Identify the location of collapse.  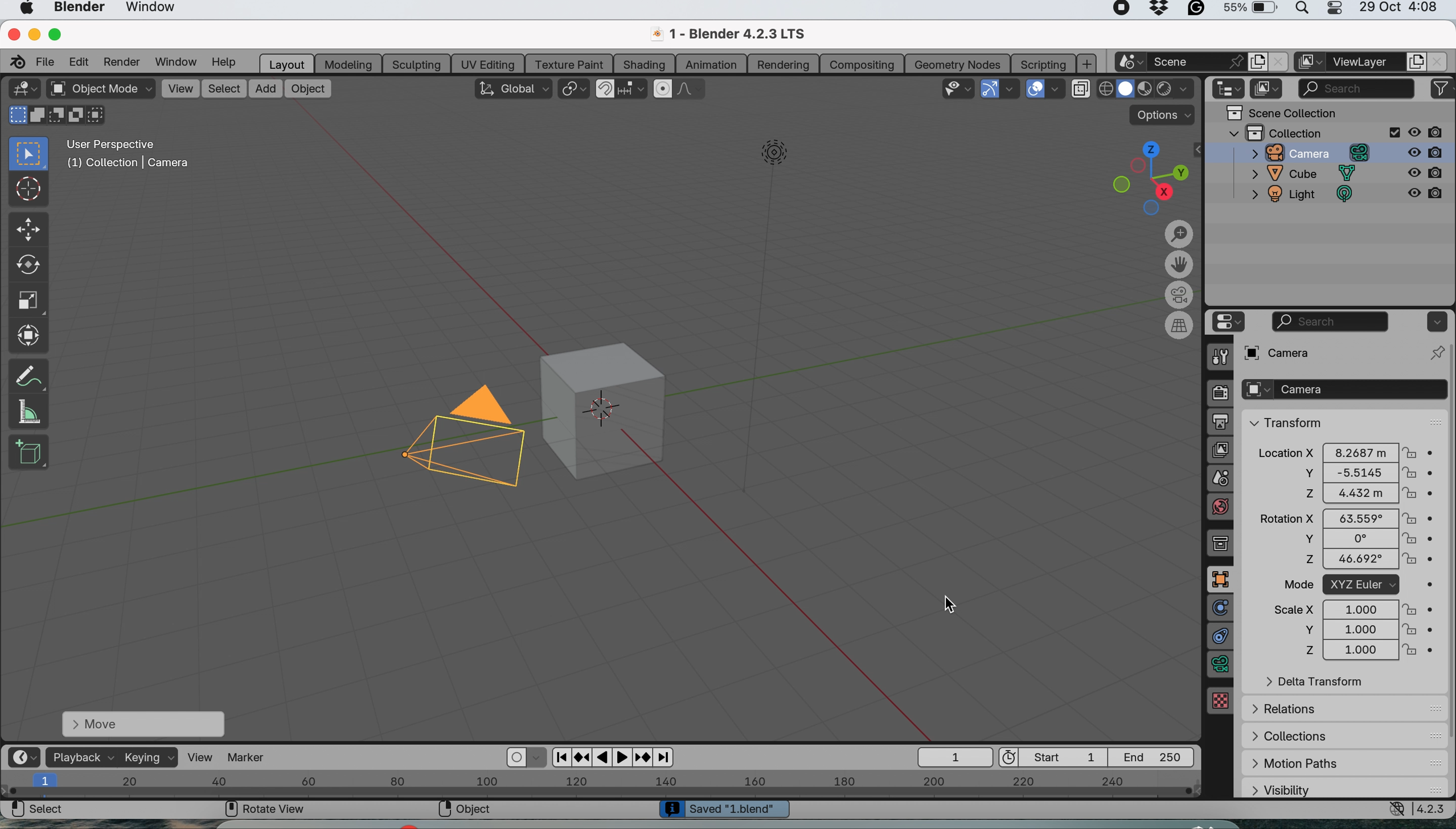
(1198, 150).